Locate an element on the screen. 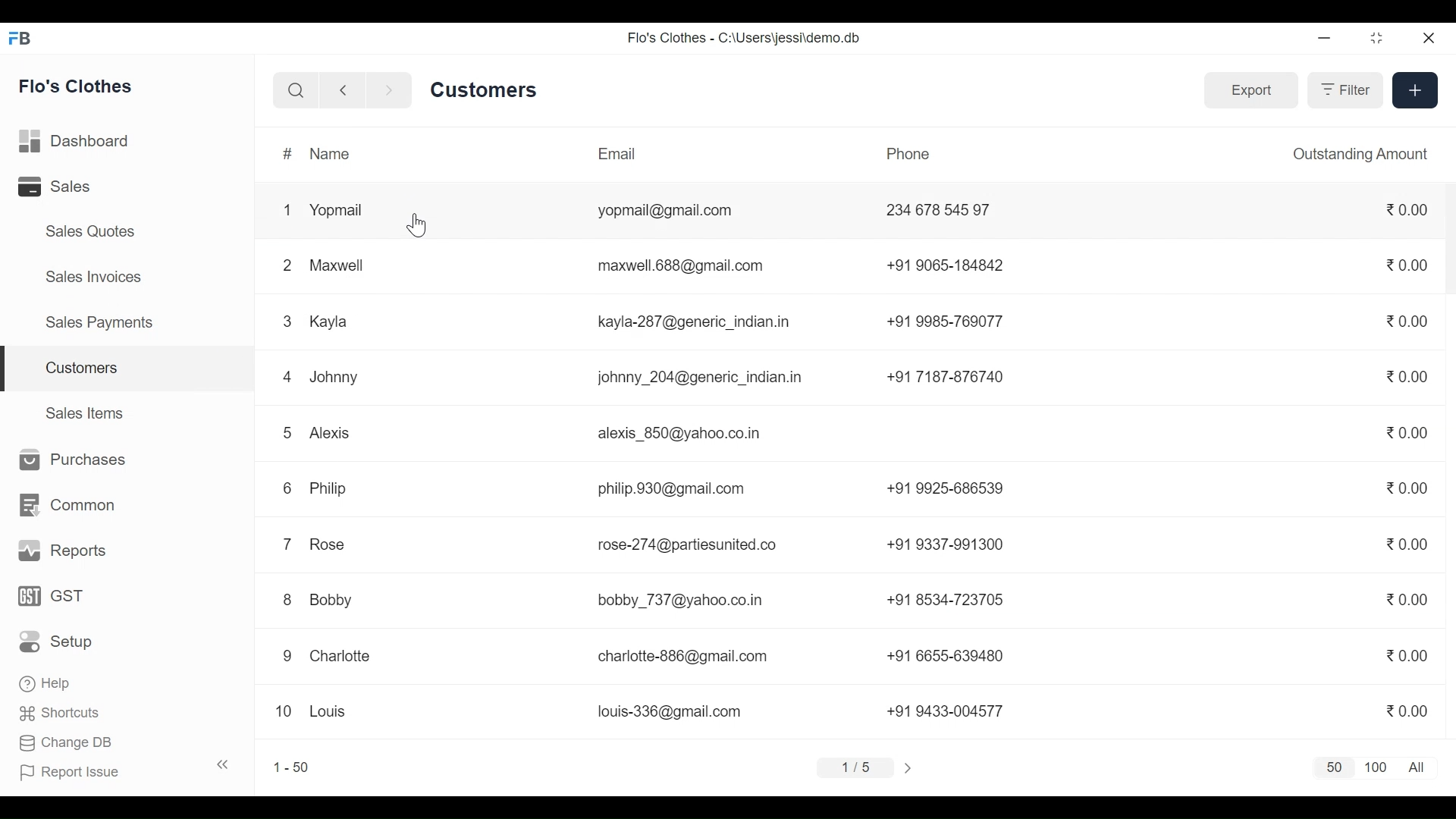  Outstanding Amount is located at coordinates (1361, 155).